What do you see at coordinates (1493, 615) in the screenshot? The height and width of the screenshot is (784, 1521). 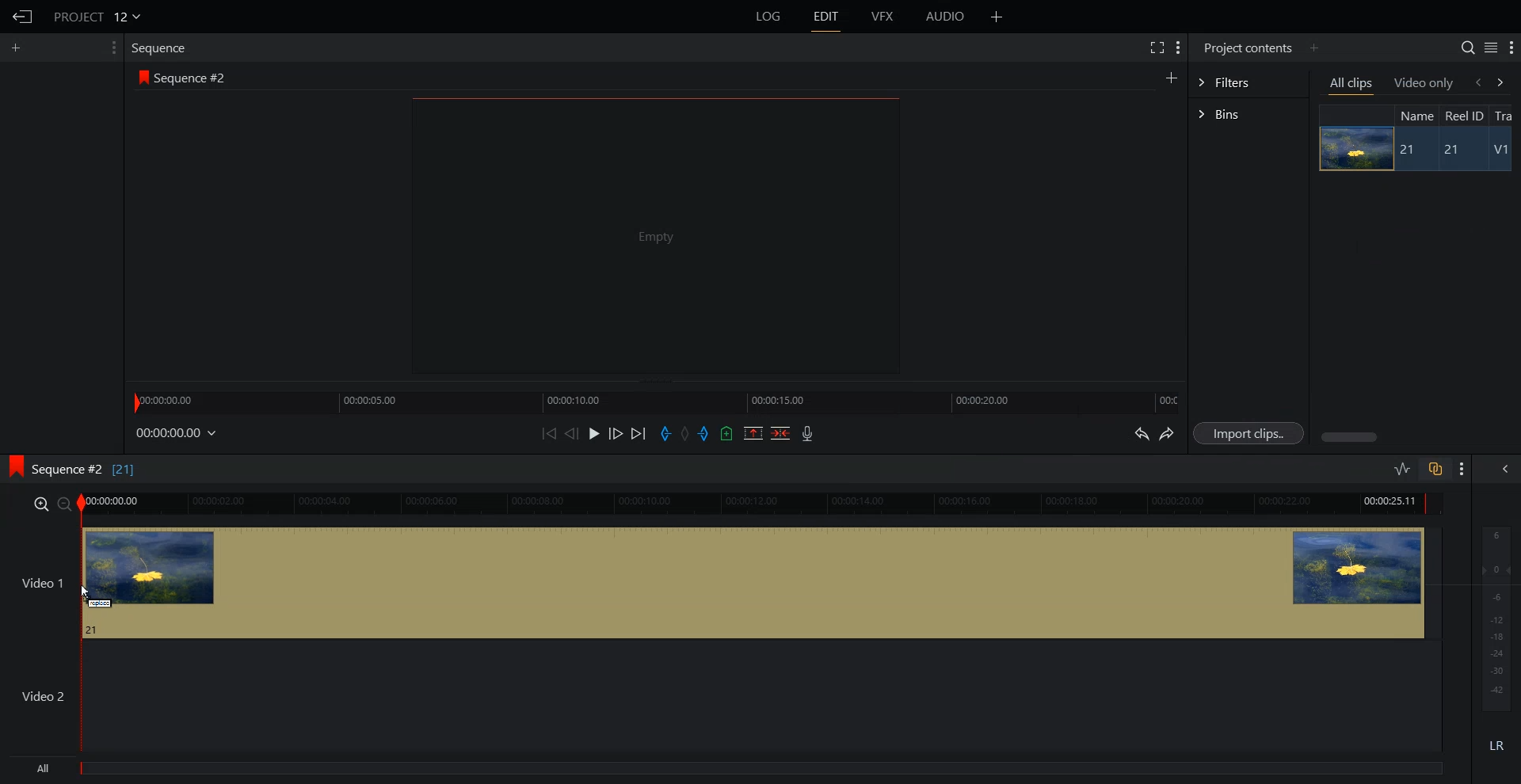 I see `Audio Output Level` at bounding box center [1493, 615].